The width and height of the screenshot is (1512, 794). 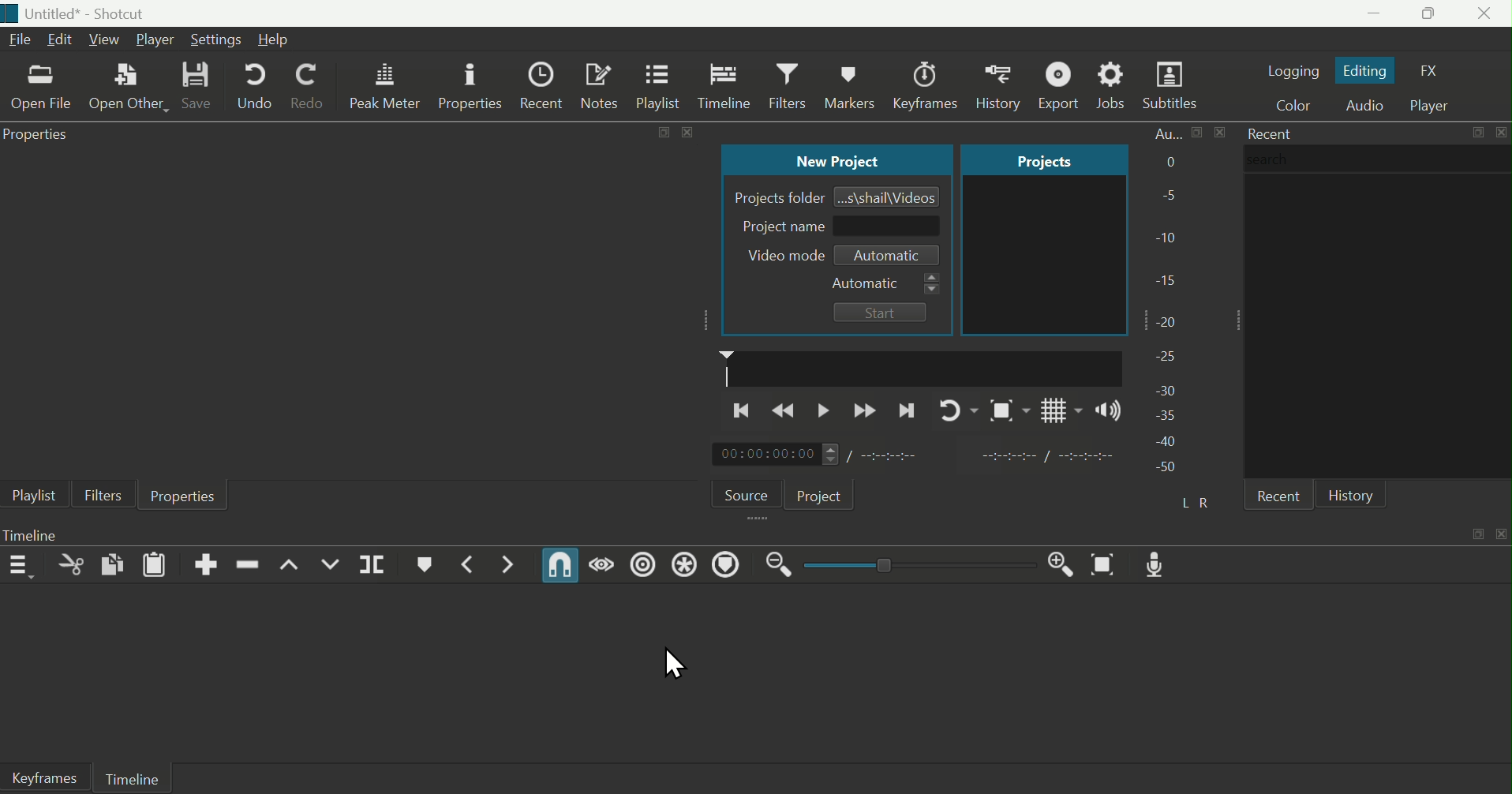 I want to click on Color, so click(x=1289, y=106).